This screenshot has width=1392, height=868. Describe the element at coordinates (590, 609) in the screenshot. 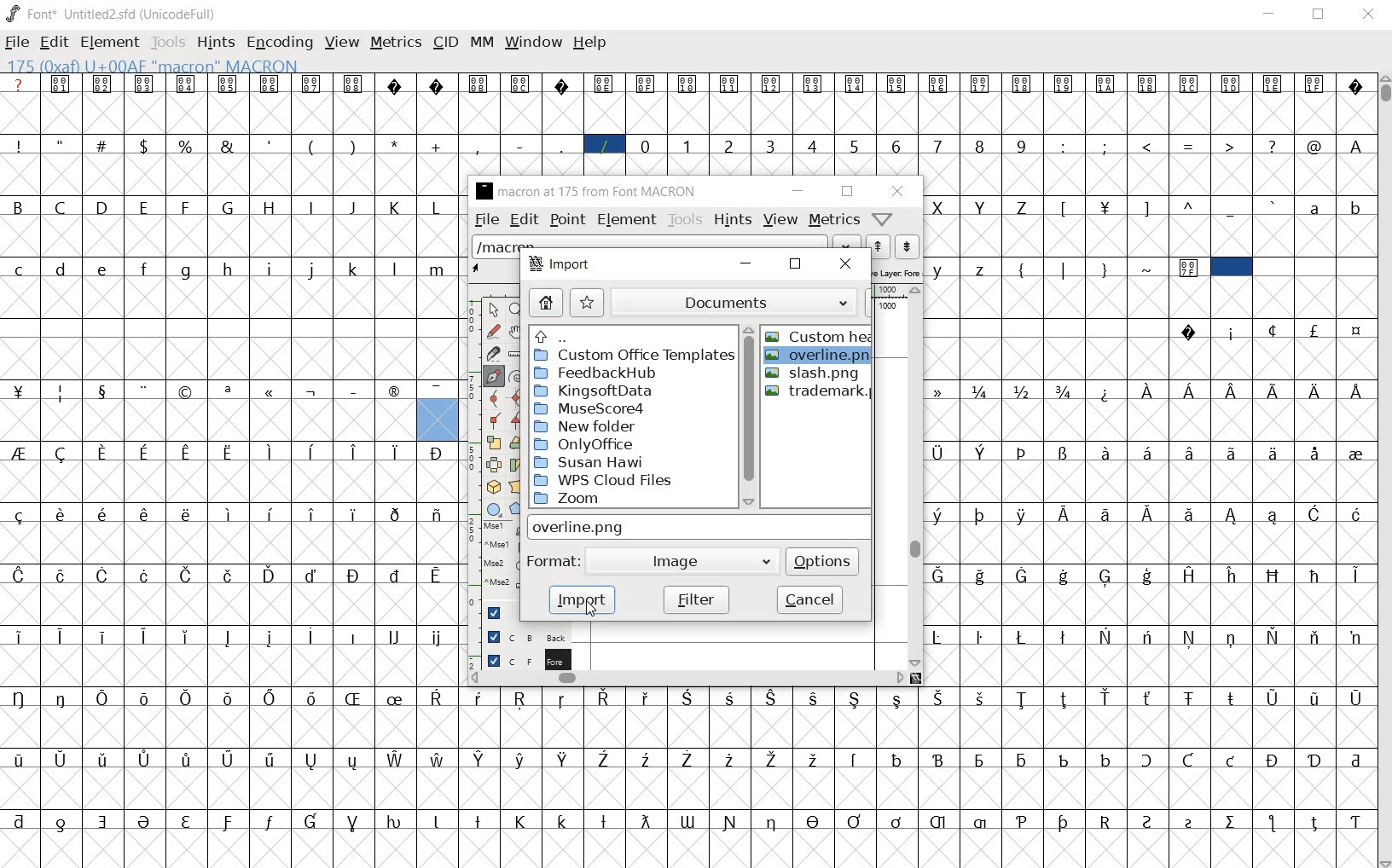

I see `cursor` at that location.